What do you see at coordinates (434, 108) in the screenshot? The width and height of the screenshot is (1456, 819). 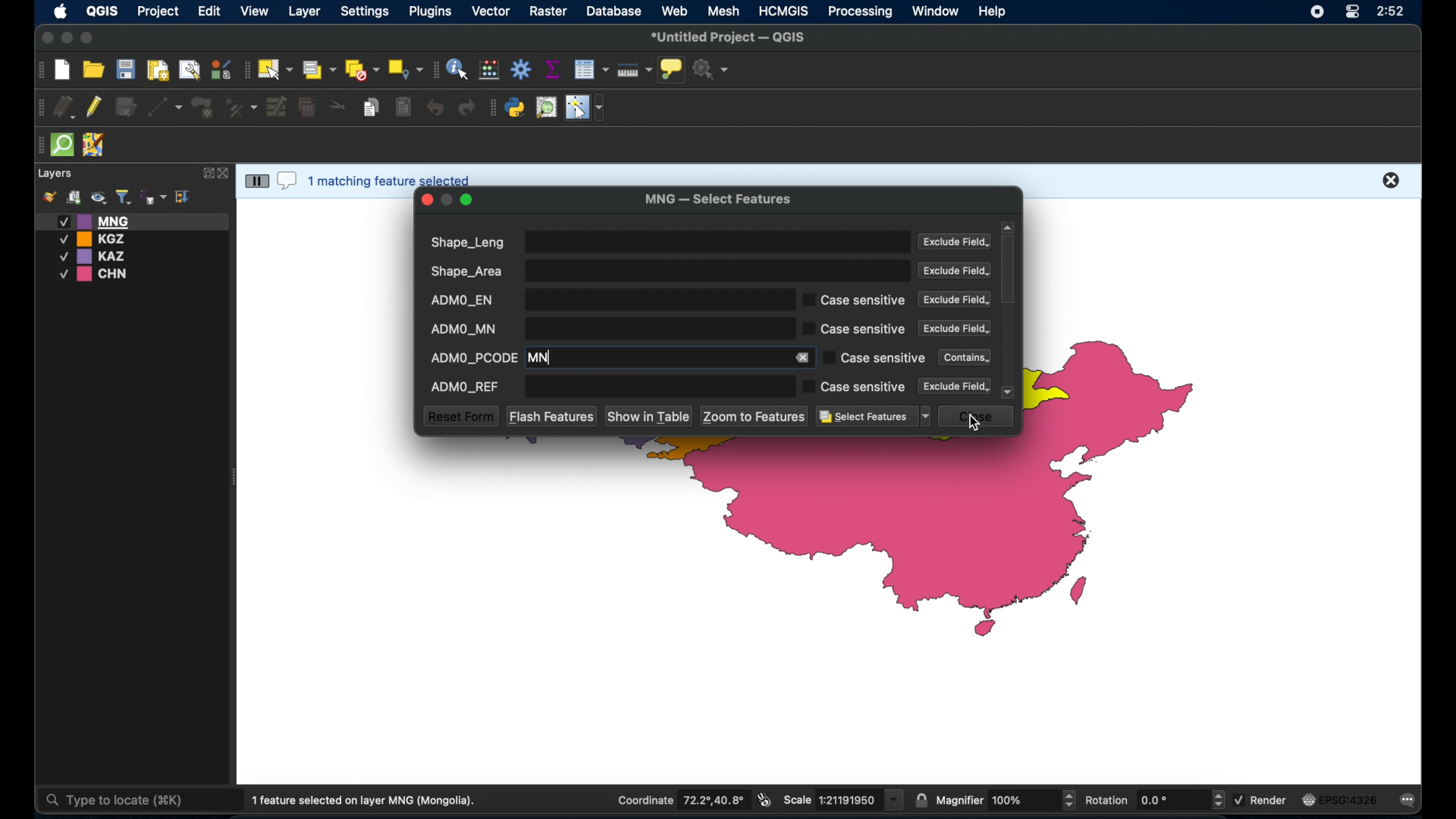 I see `undo` at bounding box center [434, 108].